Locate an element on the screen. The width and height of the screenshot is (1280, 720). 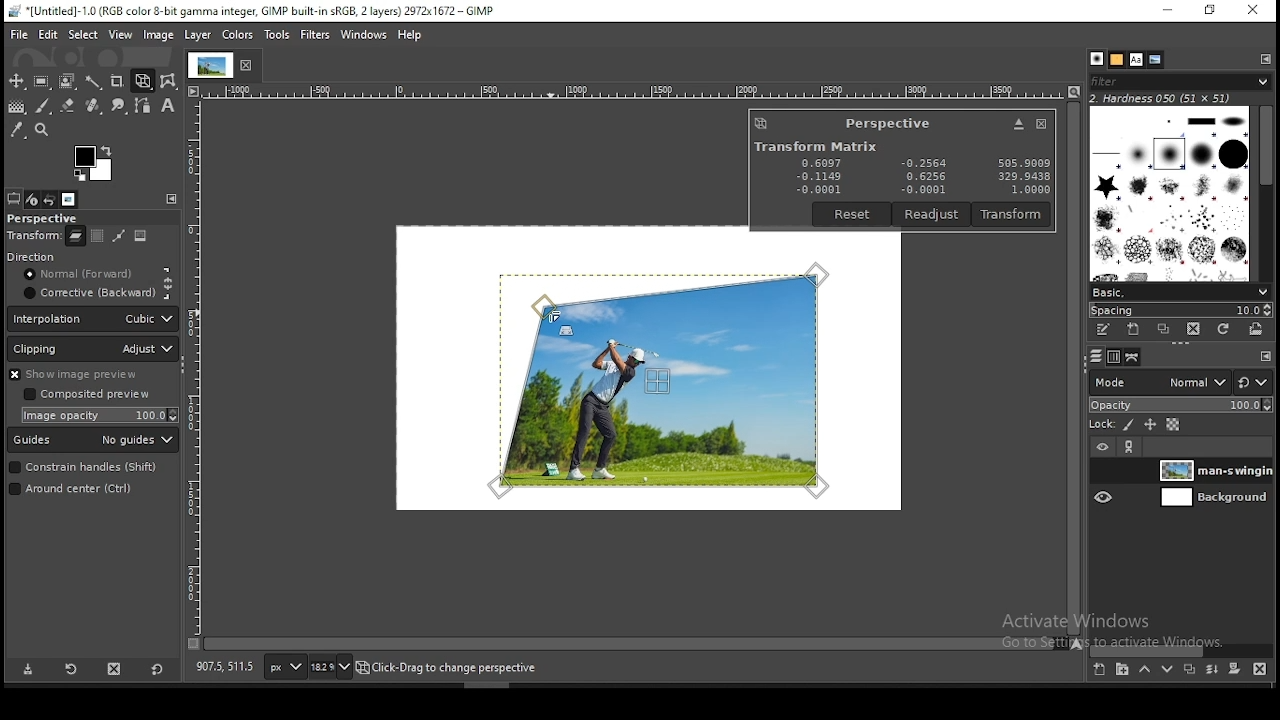
scroll bar is located at coordinates (1073, 369).